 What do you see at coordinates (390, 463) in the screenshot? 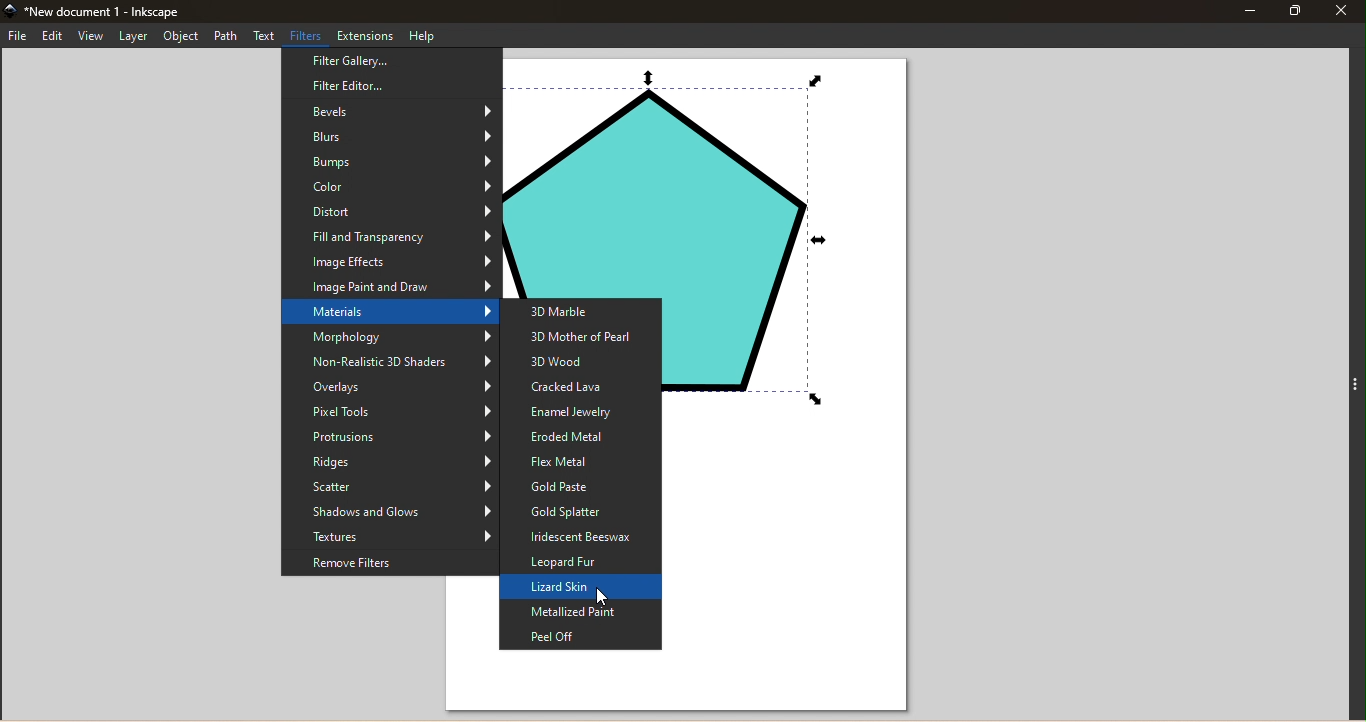
I see `Ridges` at bounding box center [390, 463].